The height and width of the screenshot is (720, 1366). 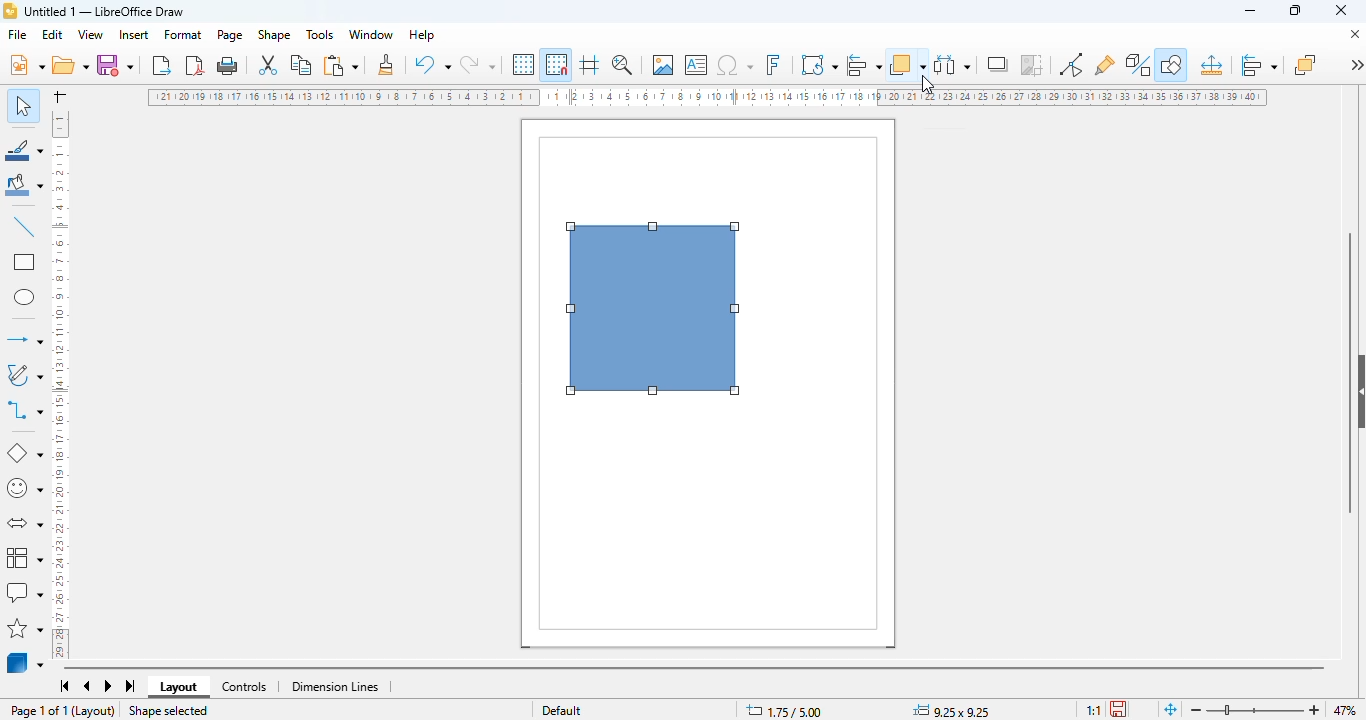 What do you see at coordinates (26, 662) in the screenshot?
I see `3D objects` at bounding box center [26, 662].